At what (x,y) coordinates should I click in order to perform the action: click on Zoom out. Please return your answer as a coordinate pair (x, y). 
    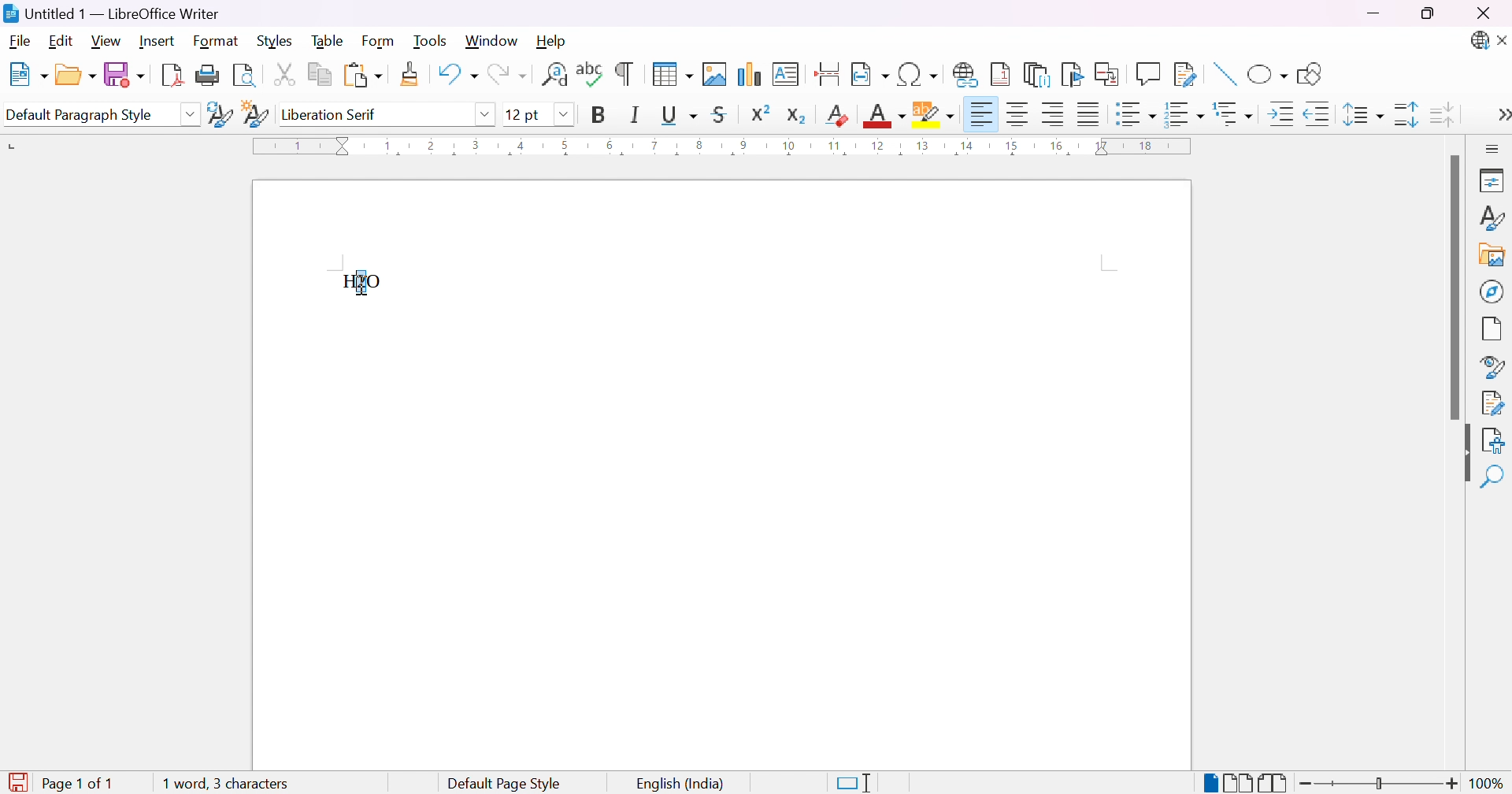
    Looking at the image, I should click on (1306, 784).